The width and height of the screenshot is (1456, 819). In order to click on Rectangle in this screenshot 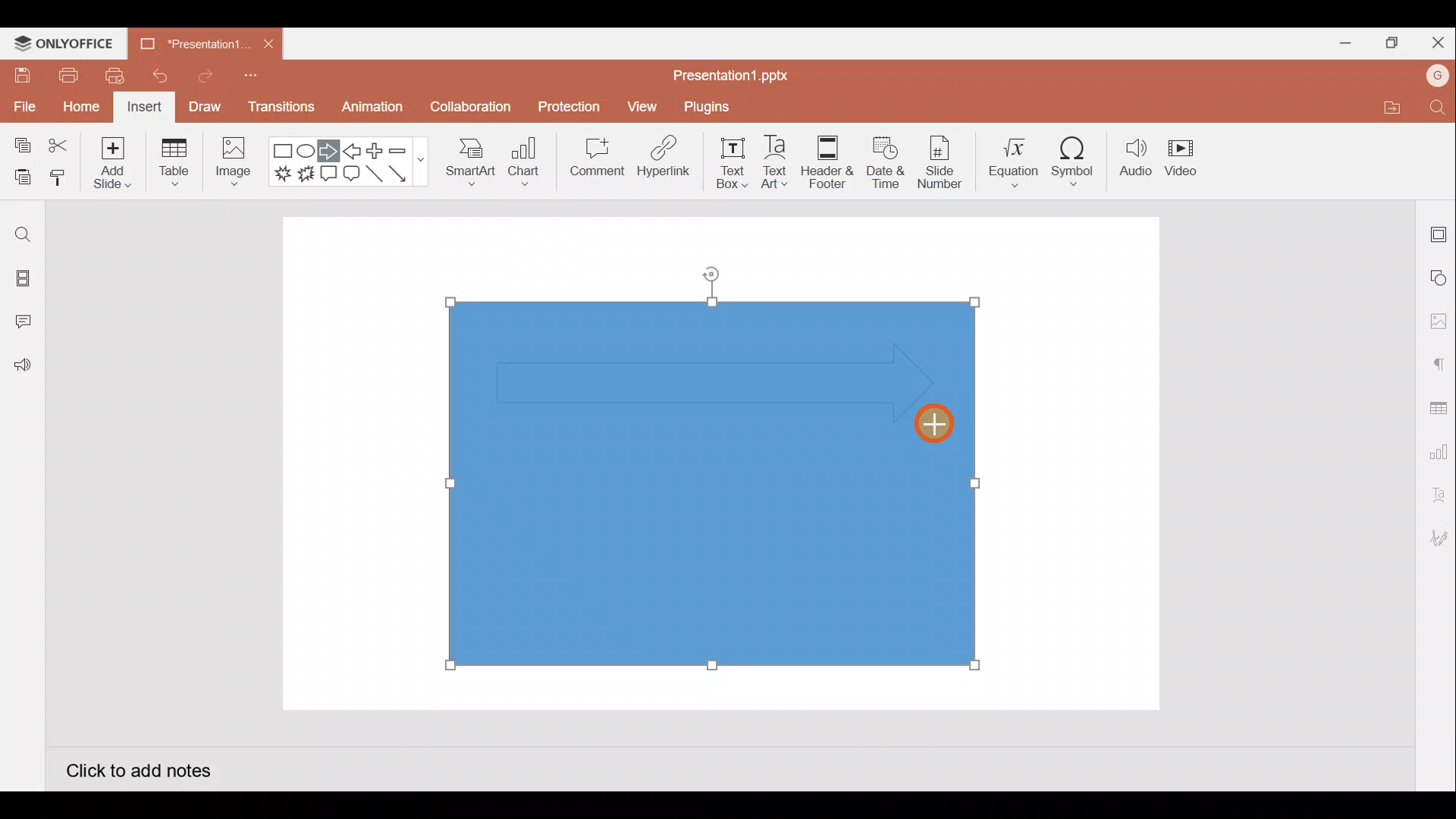, I will do `click(284, 152)`.